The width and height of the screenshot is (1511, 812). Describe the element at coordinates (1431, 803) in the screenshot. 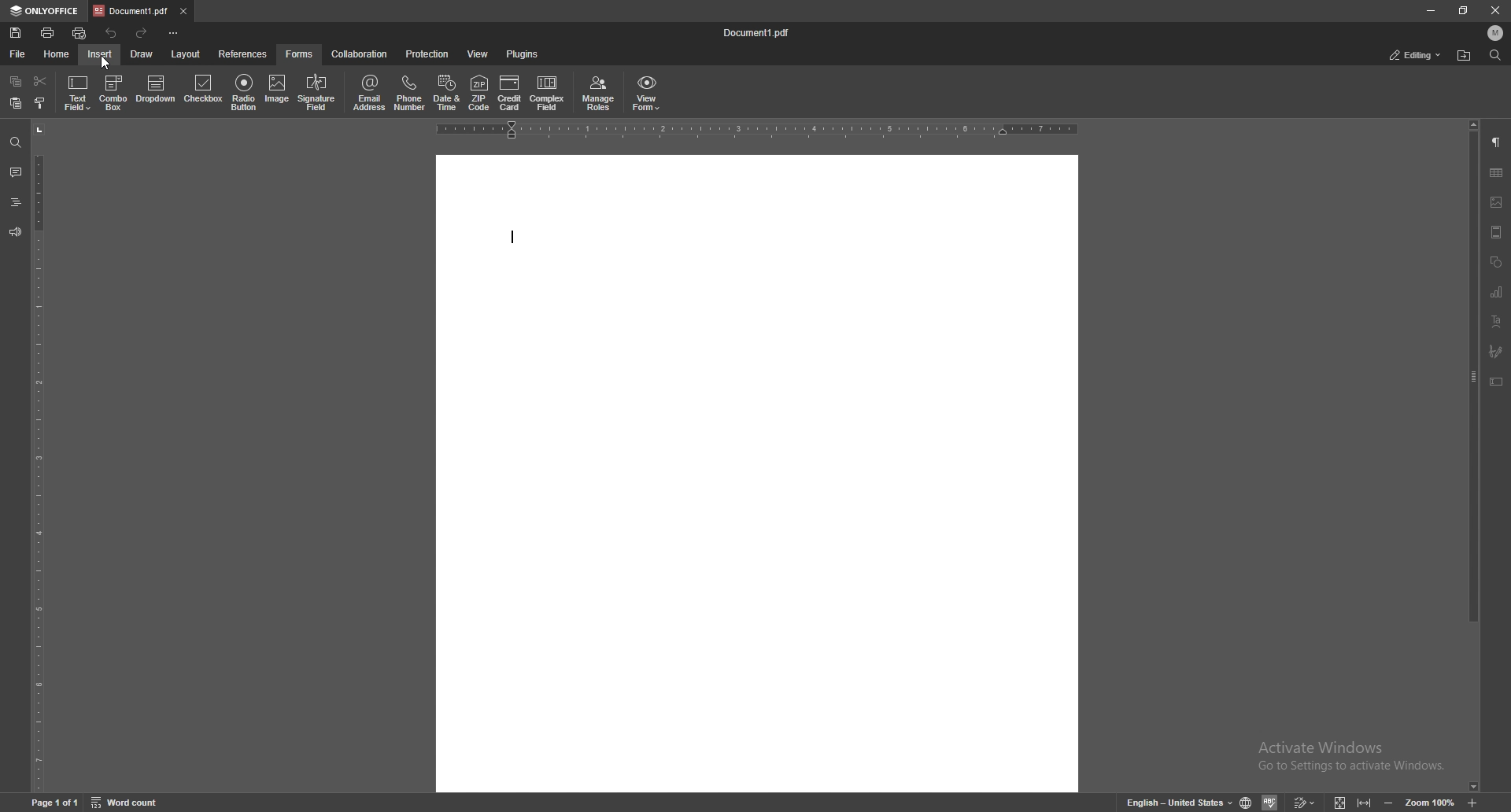

I see `zoom` at that location.